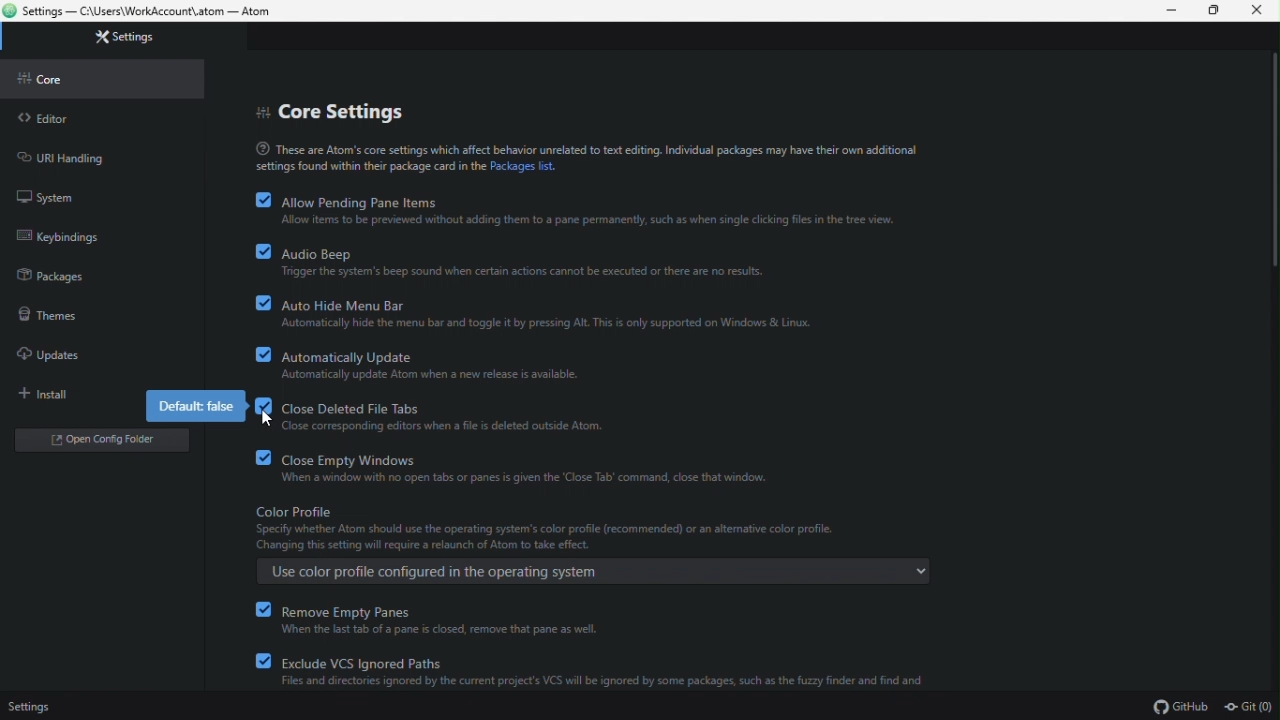 This screenshot has width=1280, height=720. What do you see at coordinates (265, 202) in the screenshot?
I see `checkbox` at bounding box center [265, 202].